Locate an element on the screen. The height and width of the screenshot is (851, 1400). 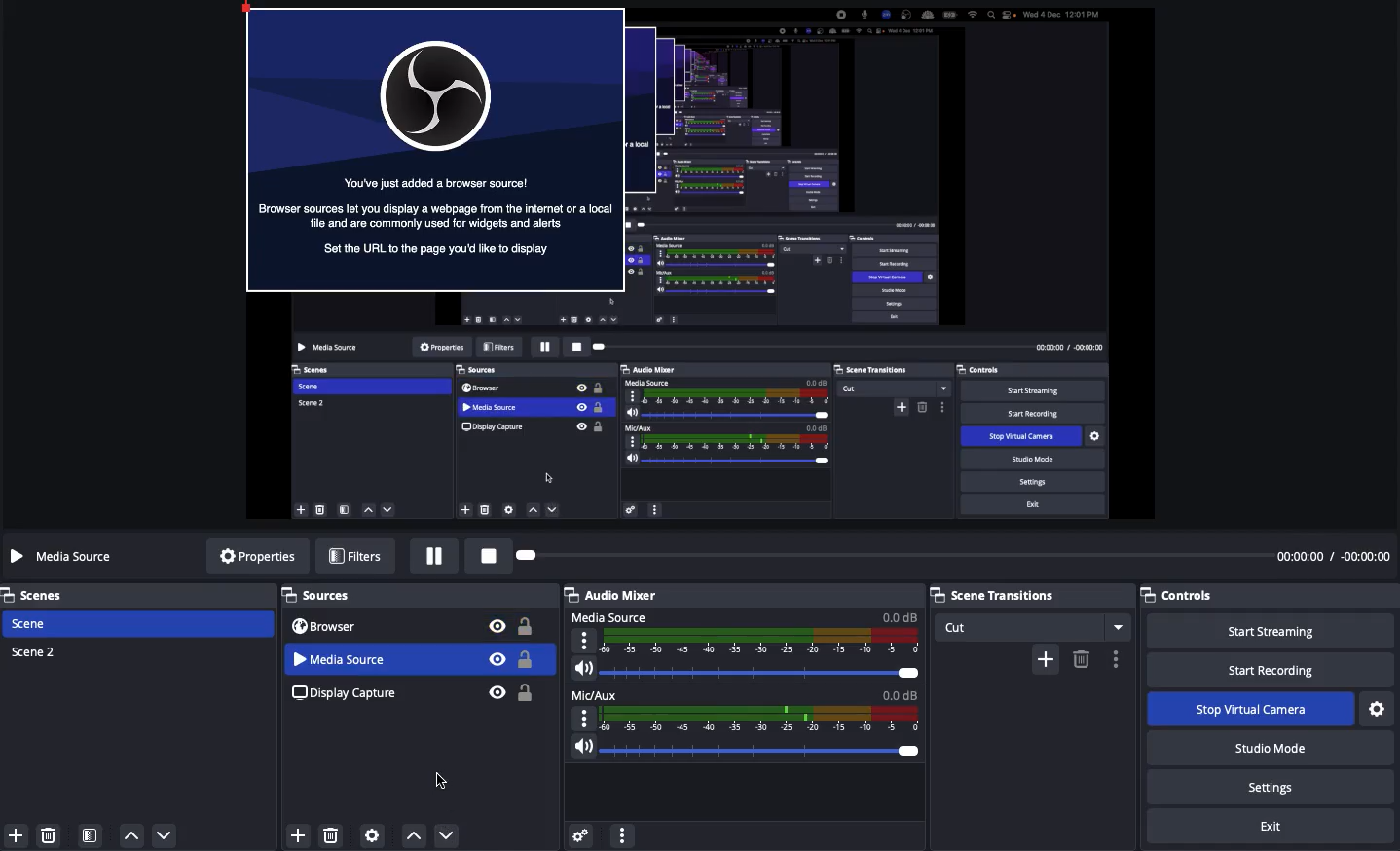
Stop virtual camera is located at coordinates (1248, 710).